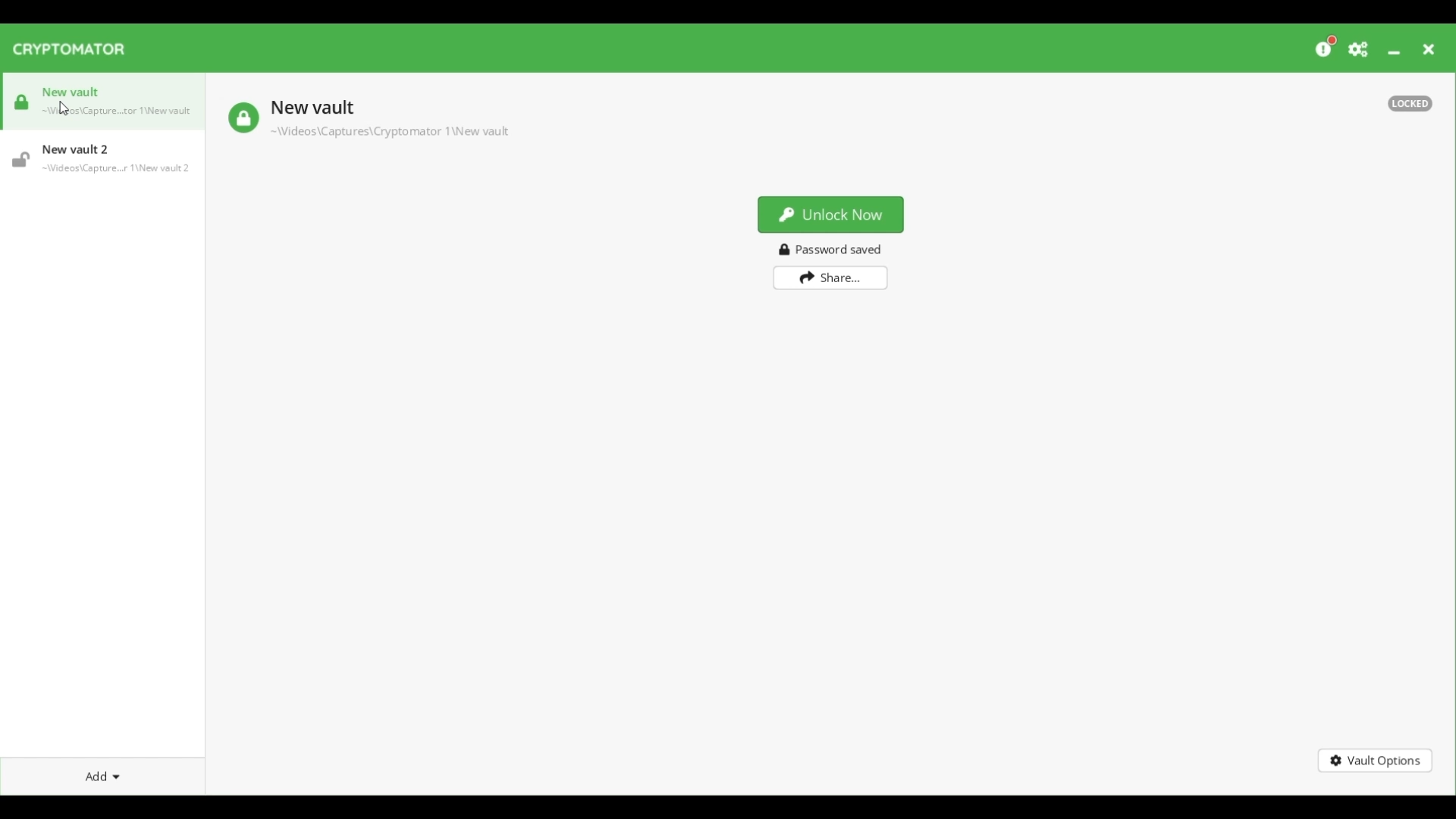 This screenshot has width=1456, height=819. Describe the element at coordinates (1359, 49) in the screenshot. I see `Preferences` at that location.